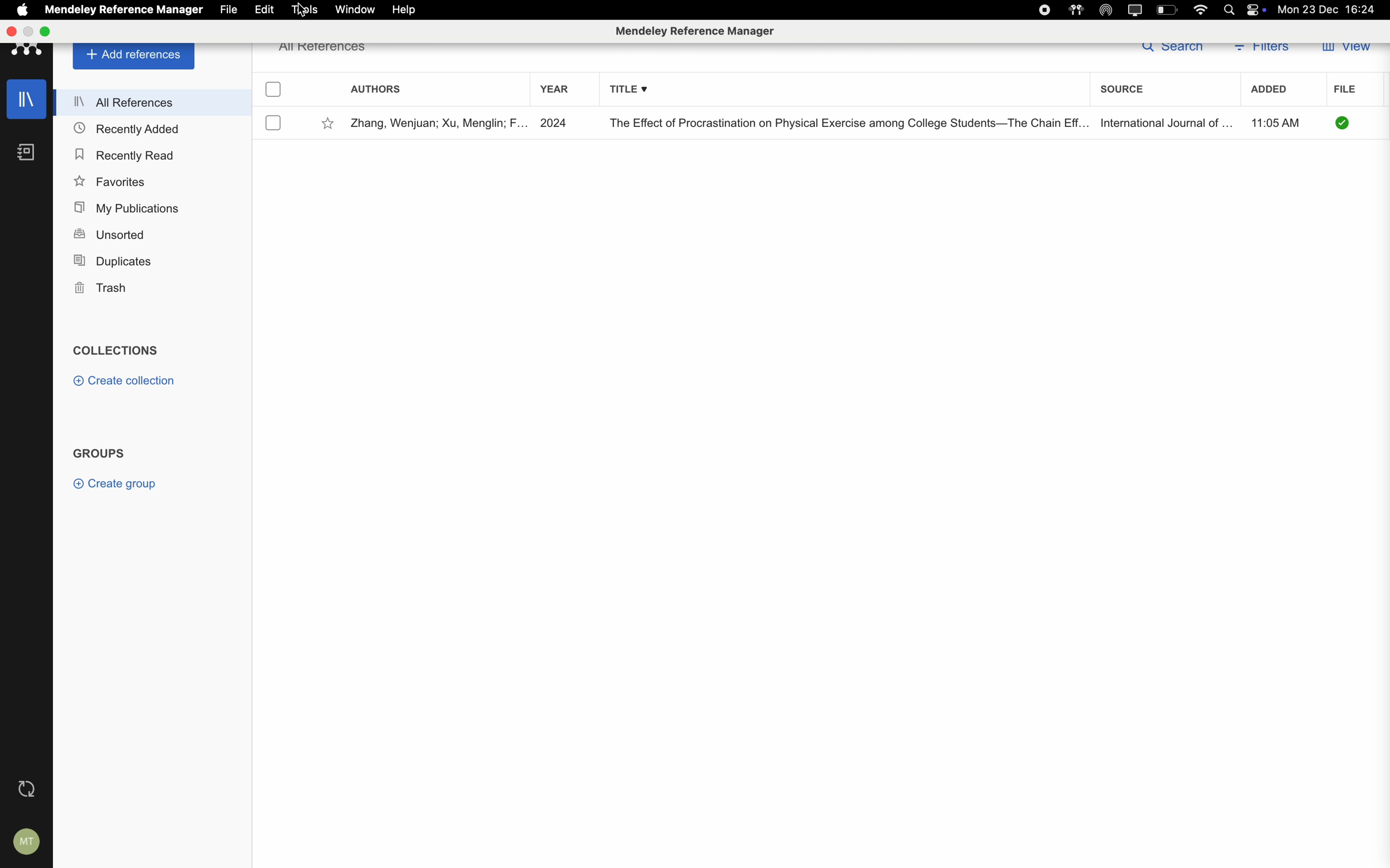 This screenshot has width=1390, height=868. I want to click on checkbox, so click(276, 122).